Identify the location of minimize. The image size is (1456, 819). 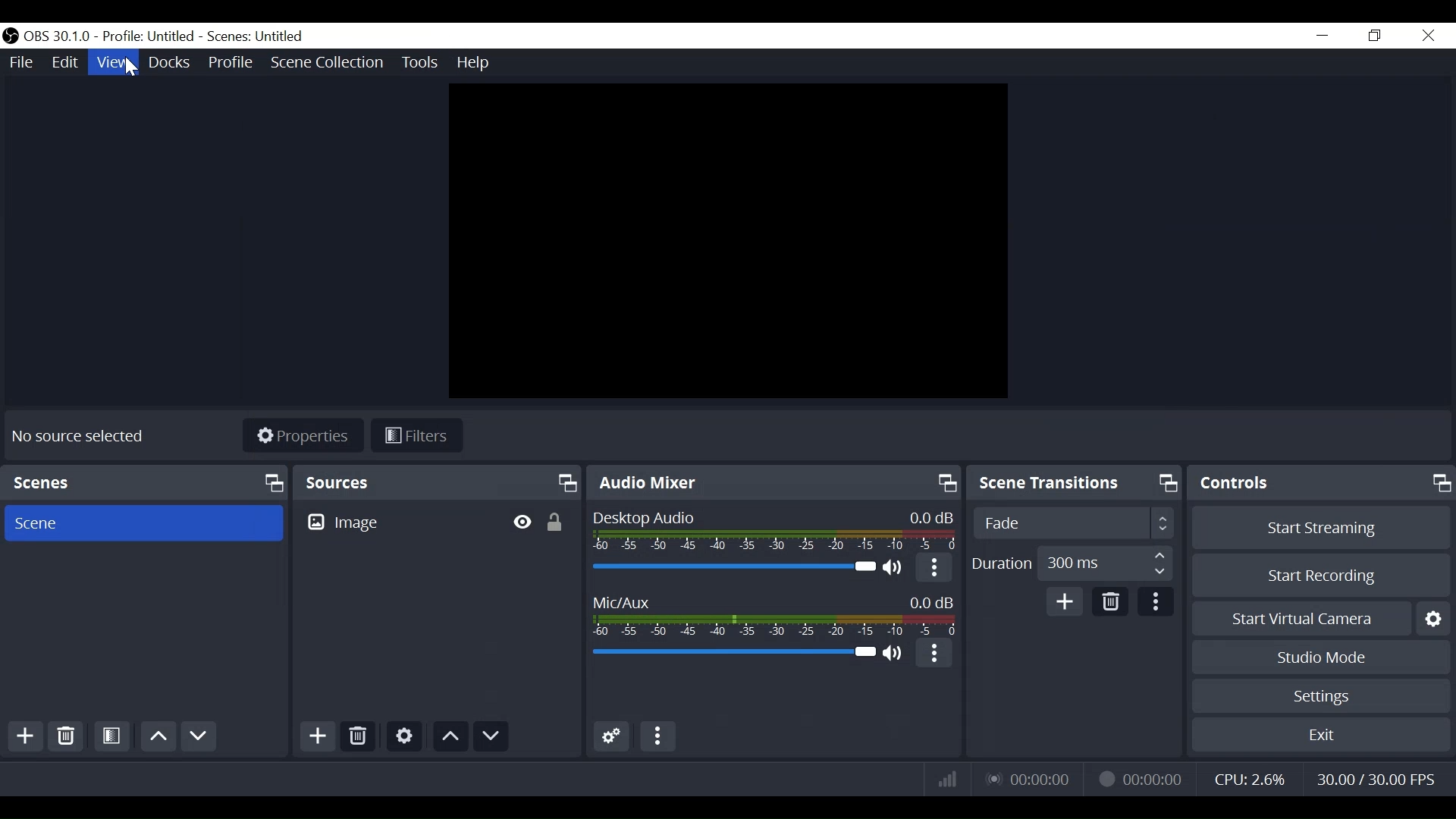
(1323, 36).